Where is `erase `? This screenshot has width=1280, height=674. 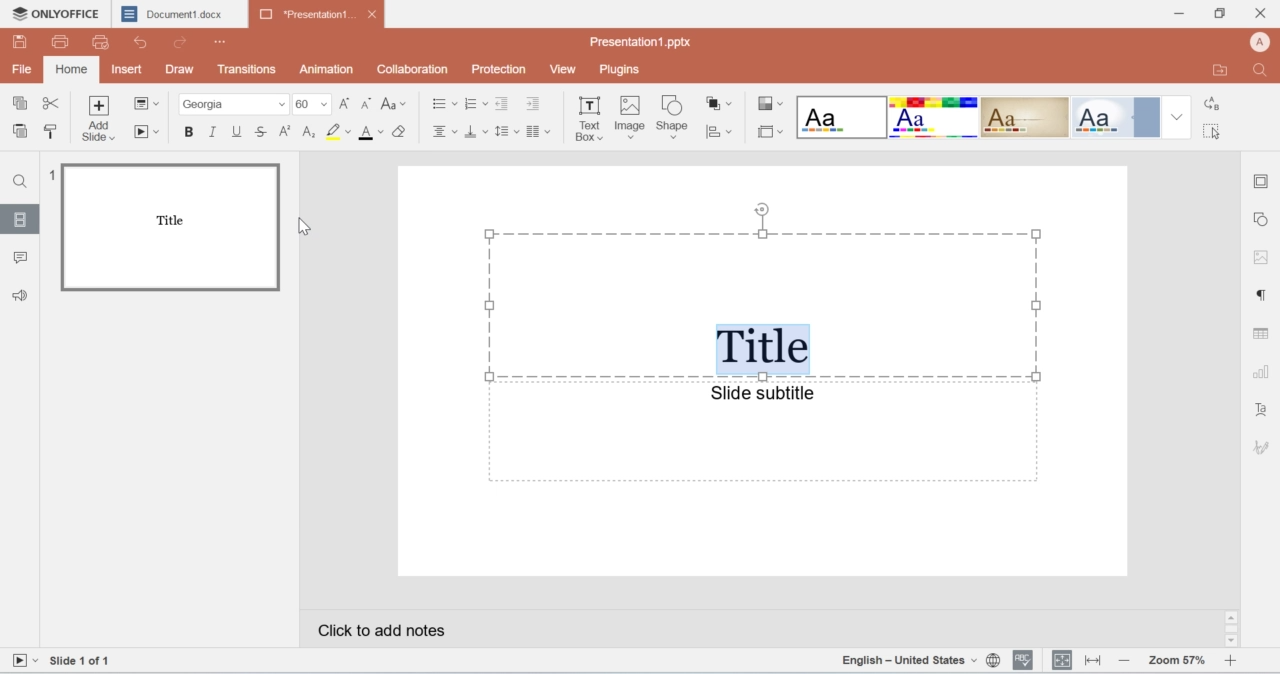 erase  is located at coordinates (402, 133).